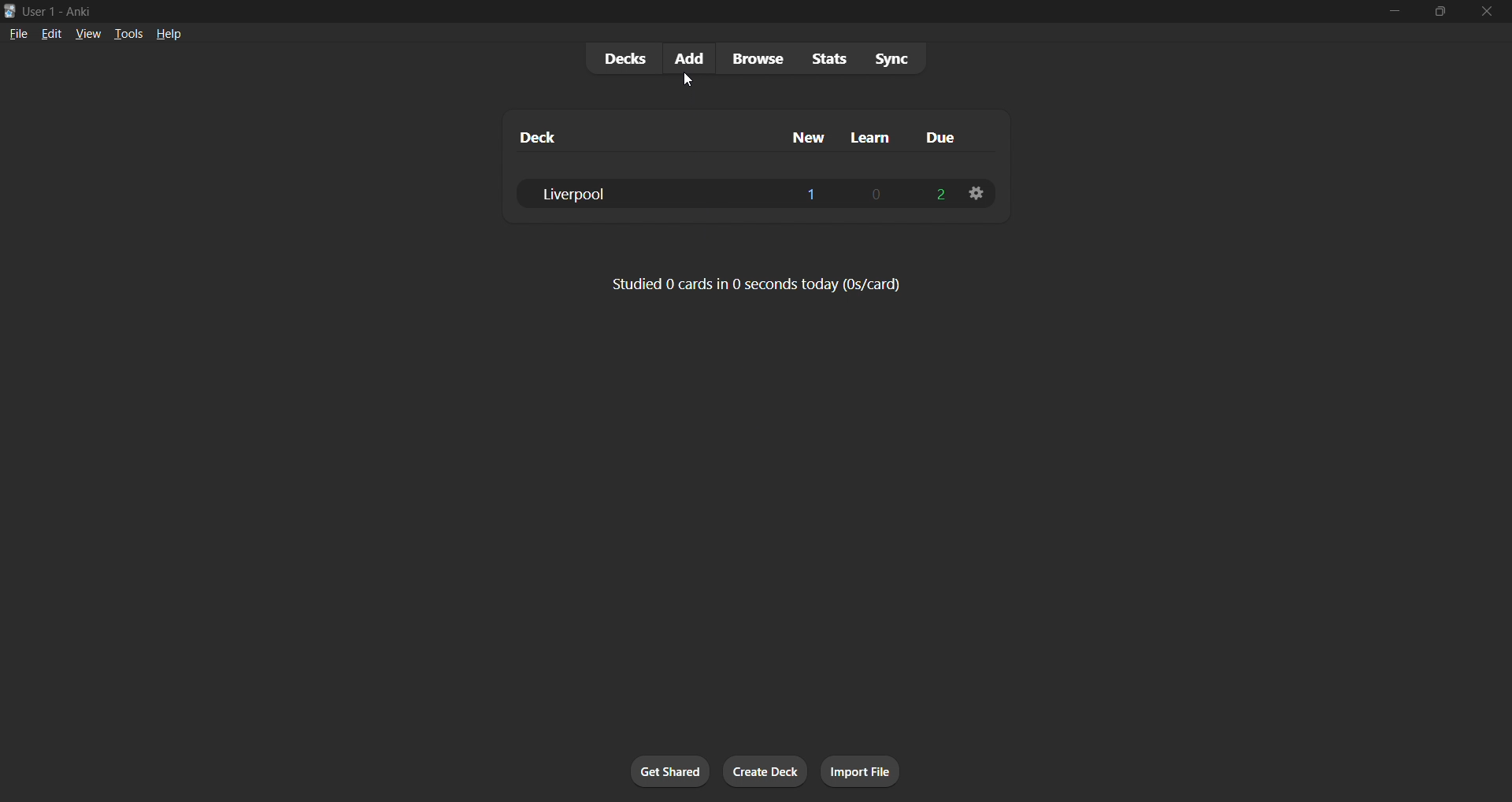 Image resolution: width=1512 pixels, height=802 pixels. What do you see at coordinates (752, 285) in the screenshot?
I see `Studied 0 cards in 0 seconds today (0s/card)` at bounding box center [752, 285].